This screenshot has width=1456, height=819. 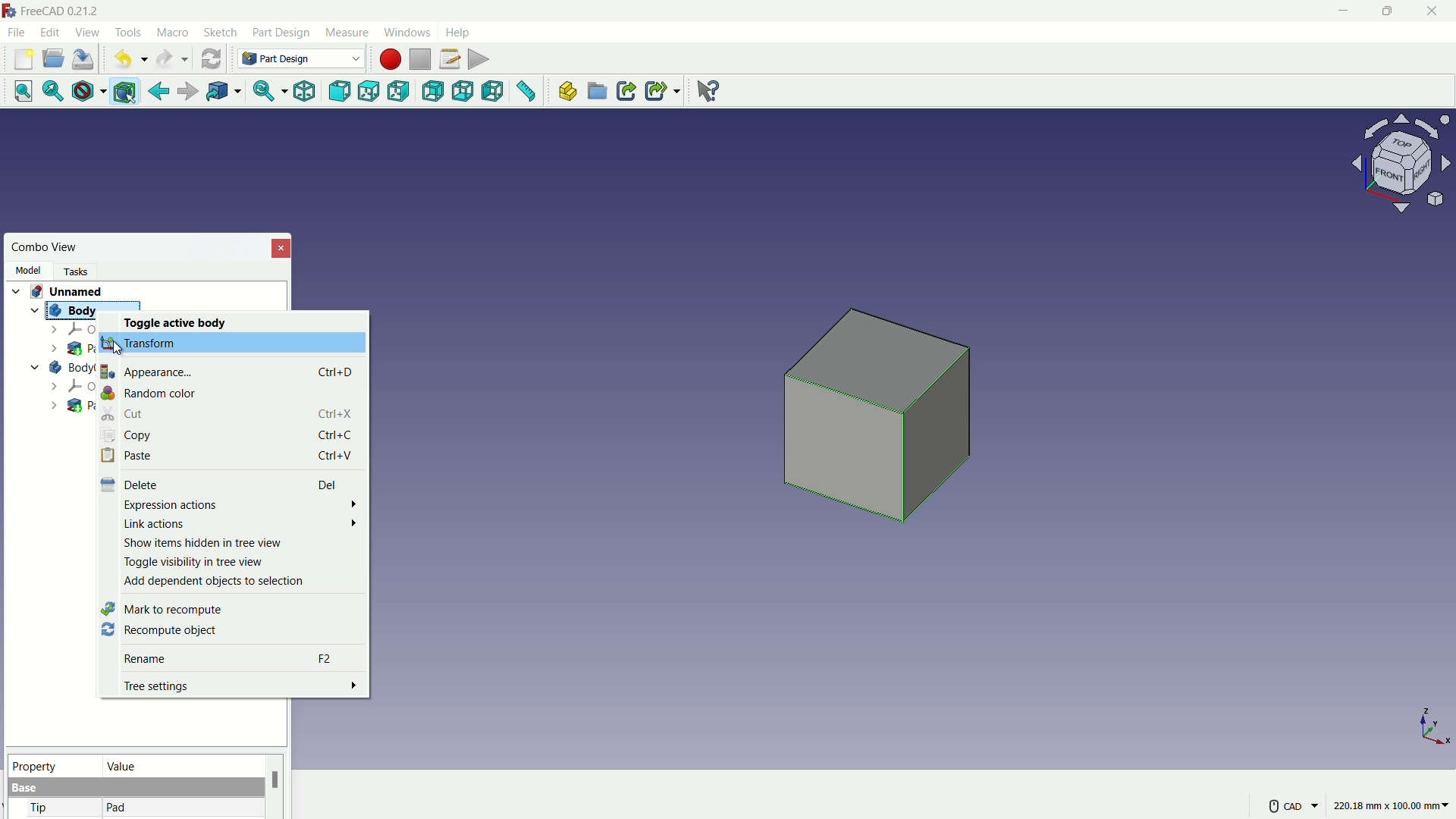 What do you see at coordinates (626, 93) in the screenshot?
I see `make link` at bounding box center [626, 93].